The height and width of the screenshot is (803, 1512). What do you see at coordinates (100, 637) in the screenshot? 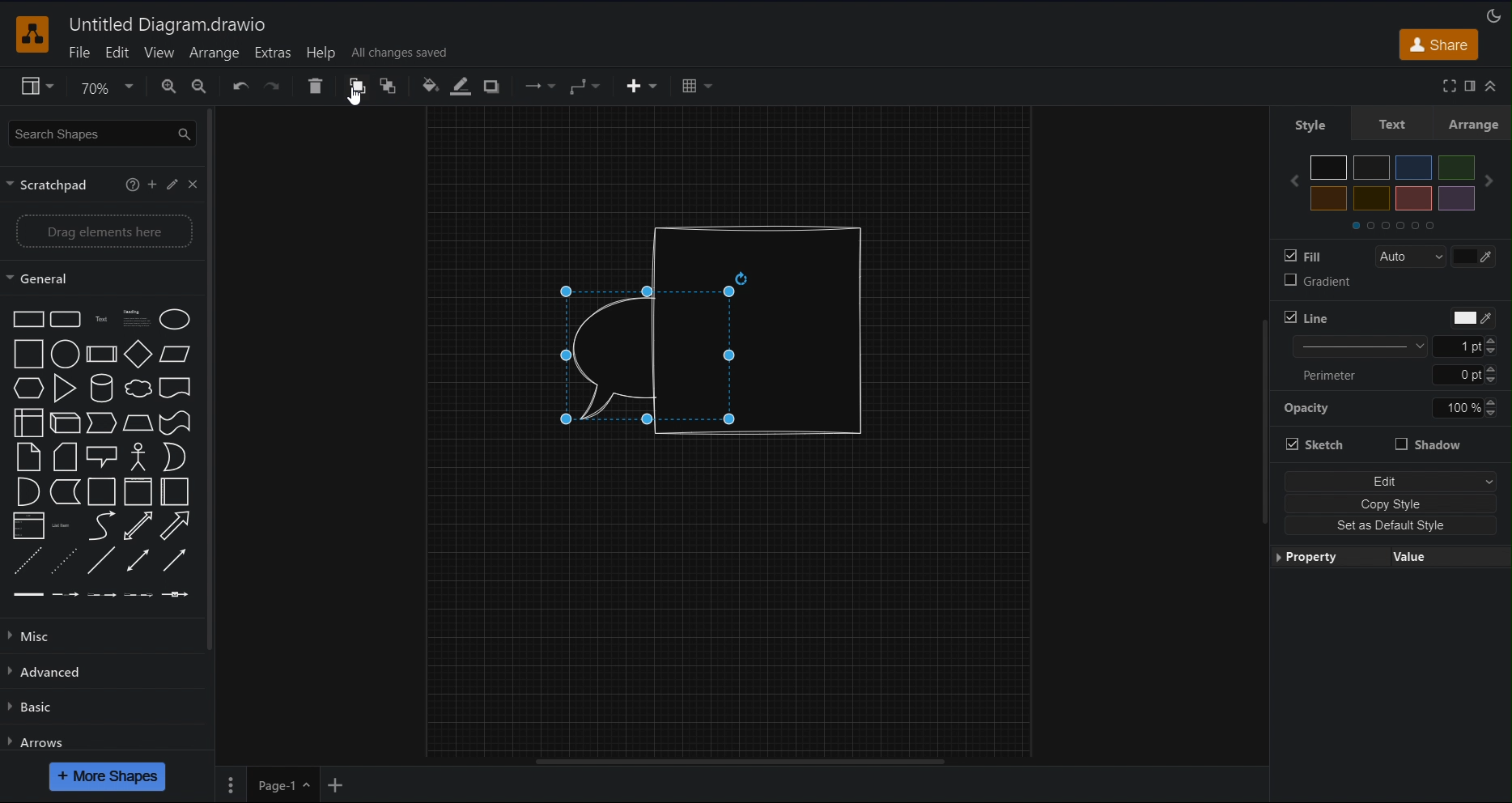
I see `Misc ` at bounding box center [100, 637].